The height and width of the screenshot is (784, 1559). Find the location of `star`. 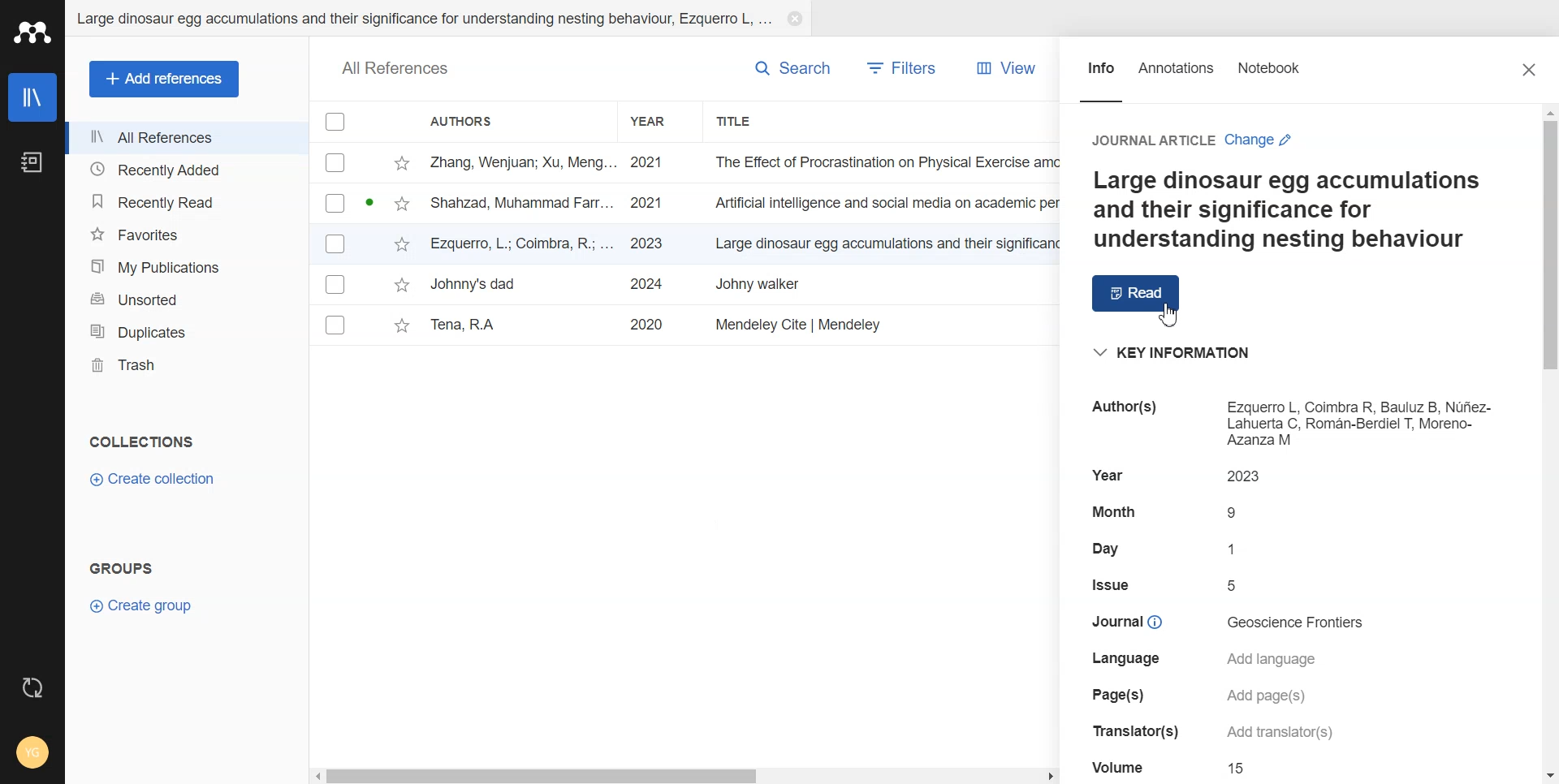

star is located at coordinates (402, 327).